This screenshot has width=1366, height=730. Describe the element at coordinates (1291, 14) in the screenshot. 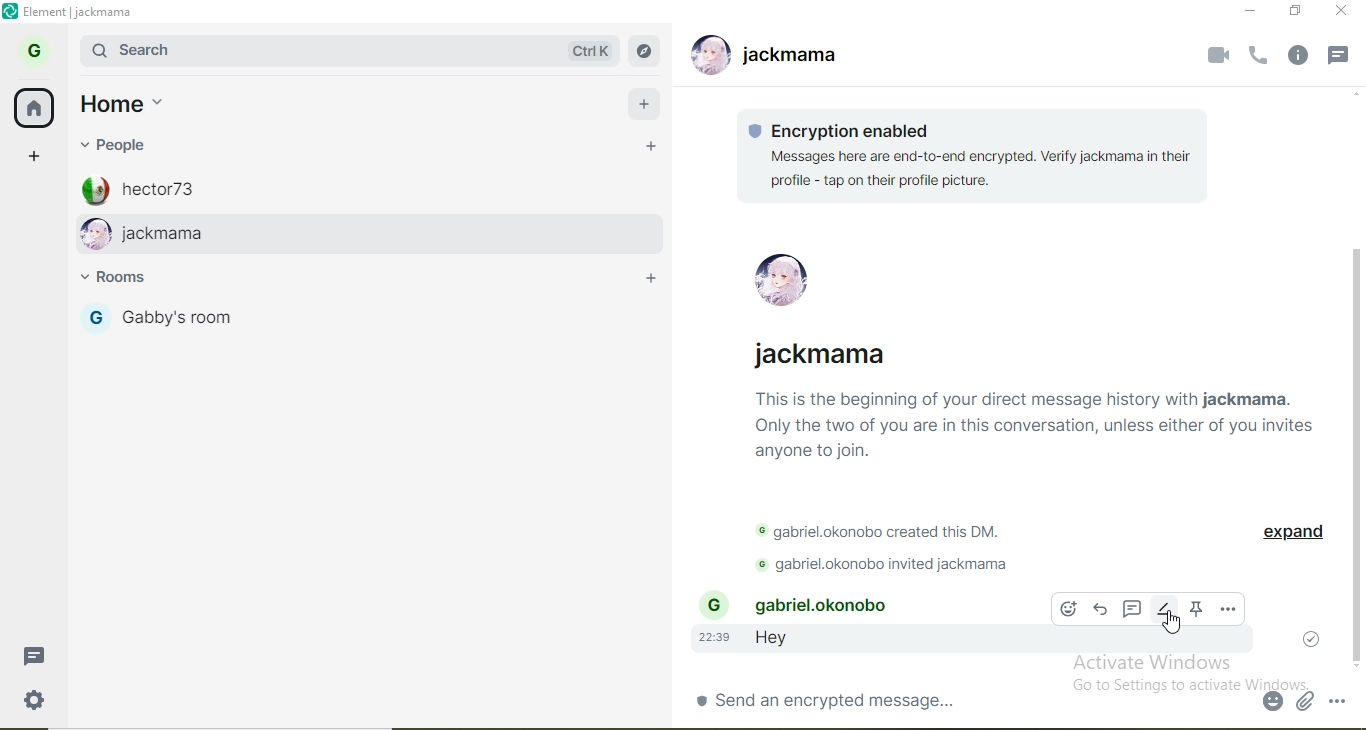

I see `restore` at that location.